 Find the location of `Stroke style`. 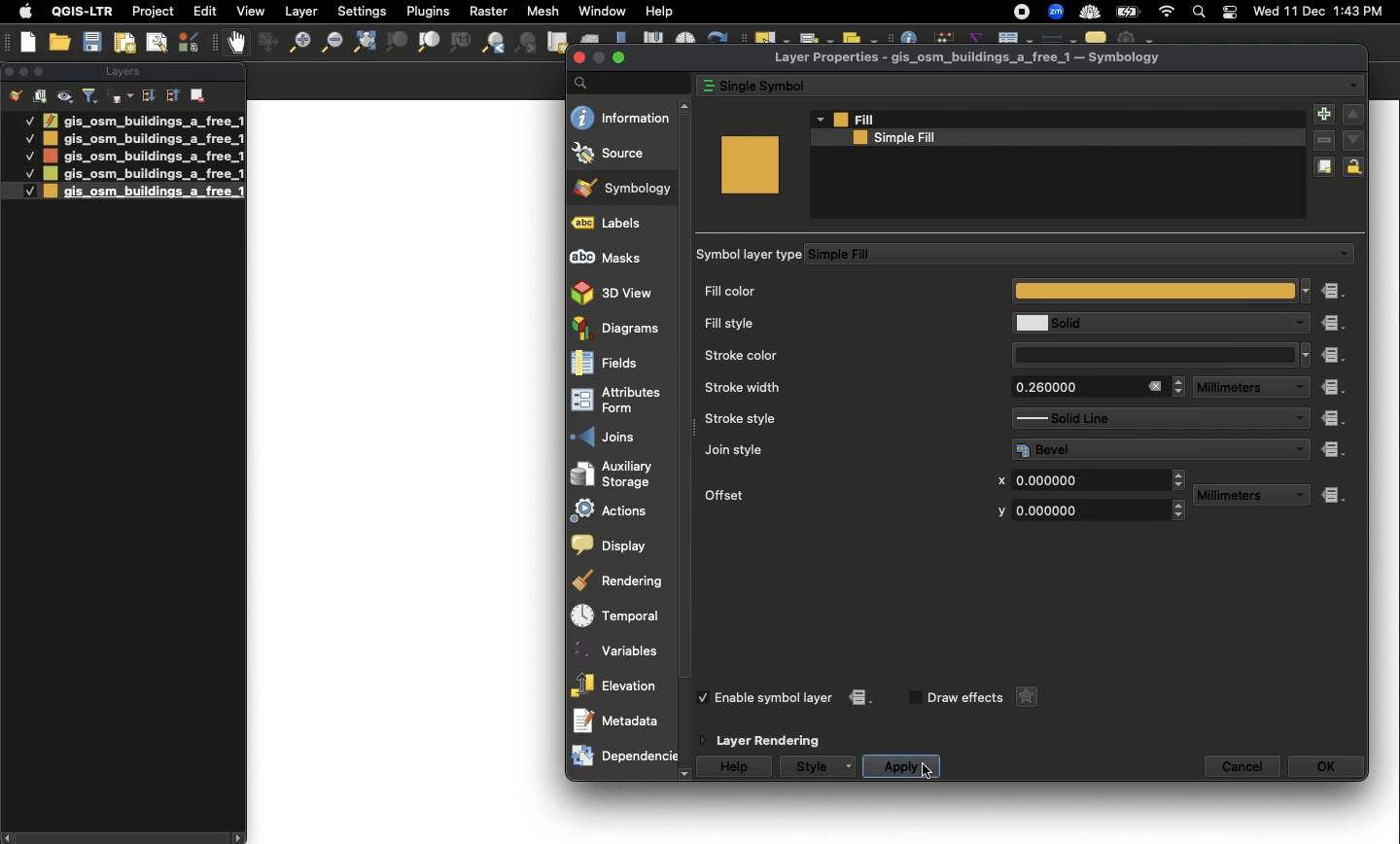

Stroke style is located at coordinates (837, 419).